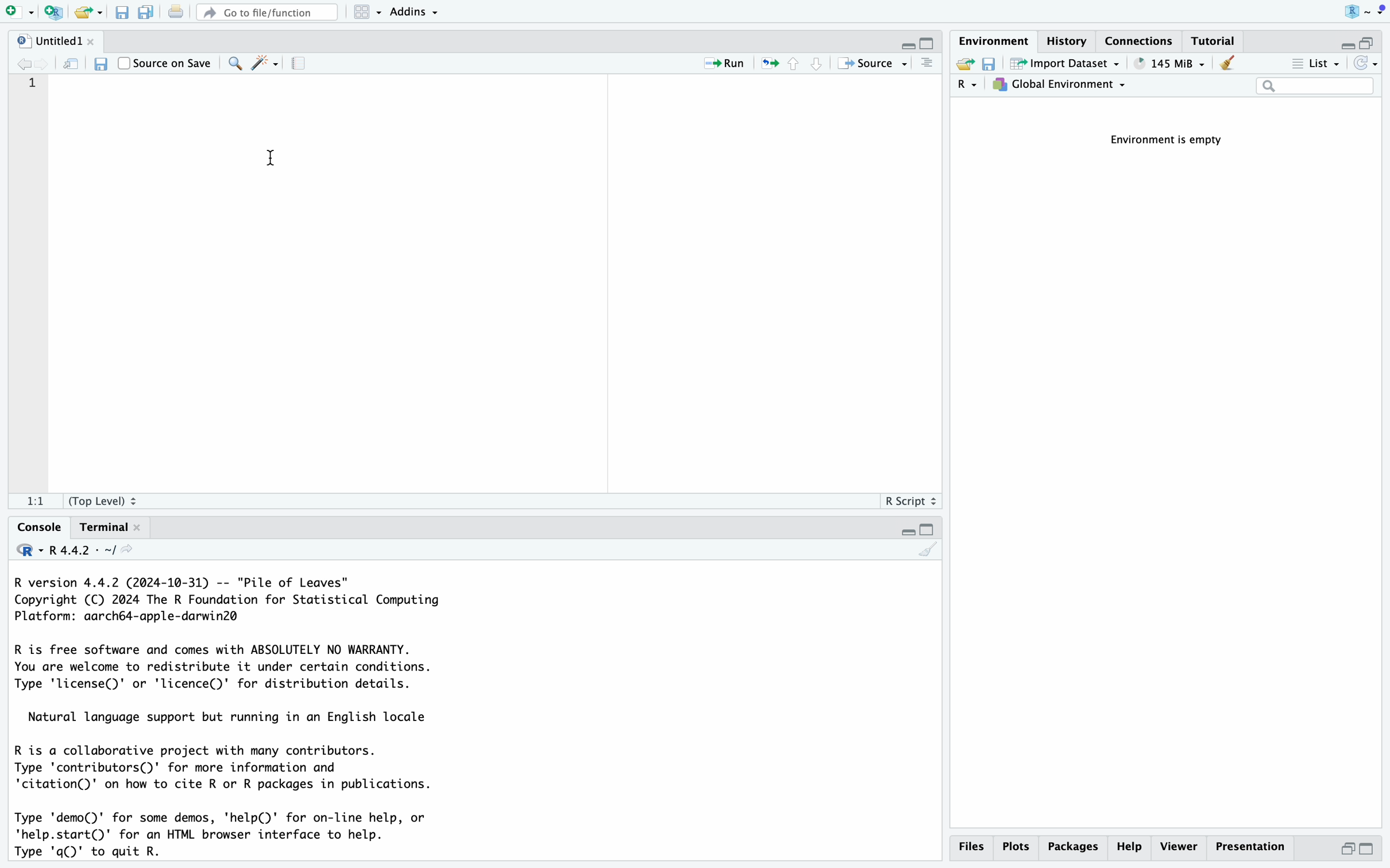 The height and width of the screenshot is (868, 1390). I want to click on minimize, so click(1342, 40).